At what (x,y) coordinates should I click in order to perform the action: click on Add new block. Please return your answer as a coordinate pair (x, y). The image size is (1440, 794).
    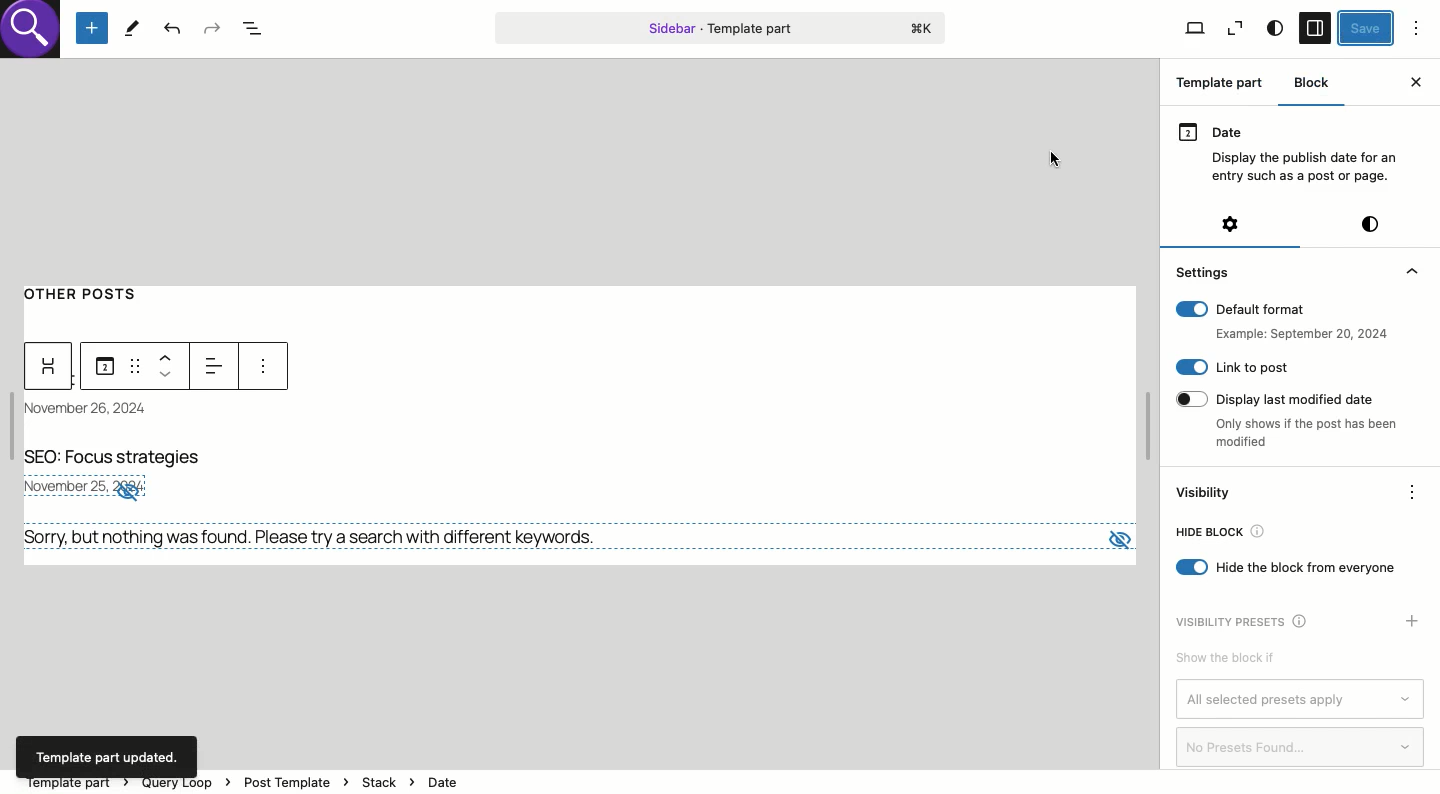
    Looking at the image, I should click on (92, 29).